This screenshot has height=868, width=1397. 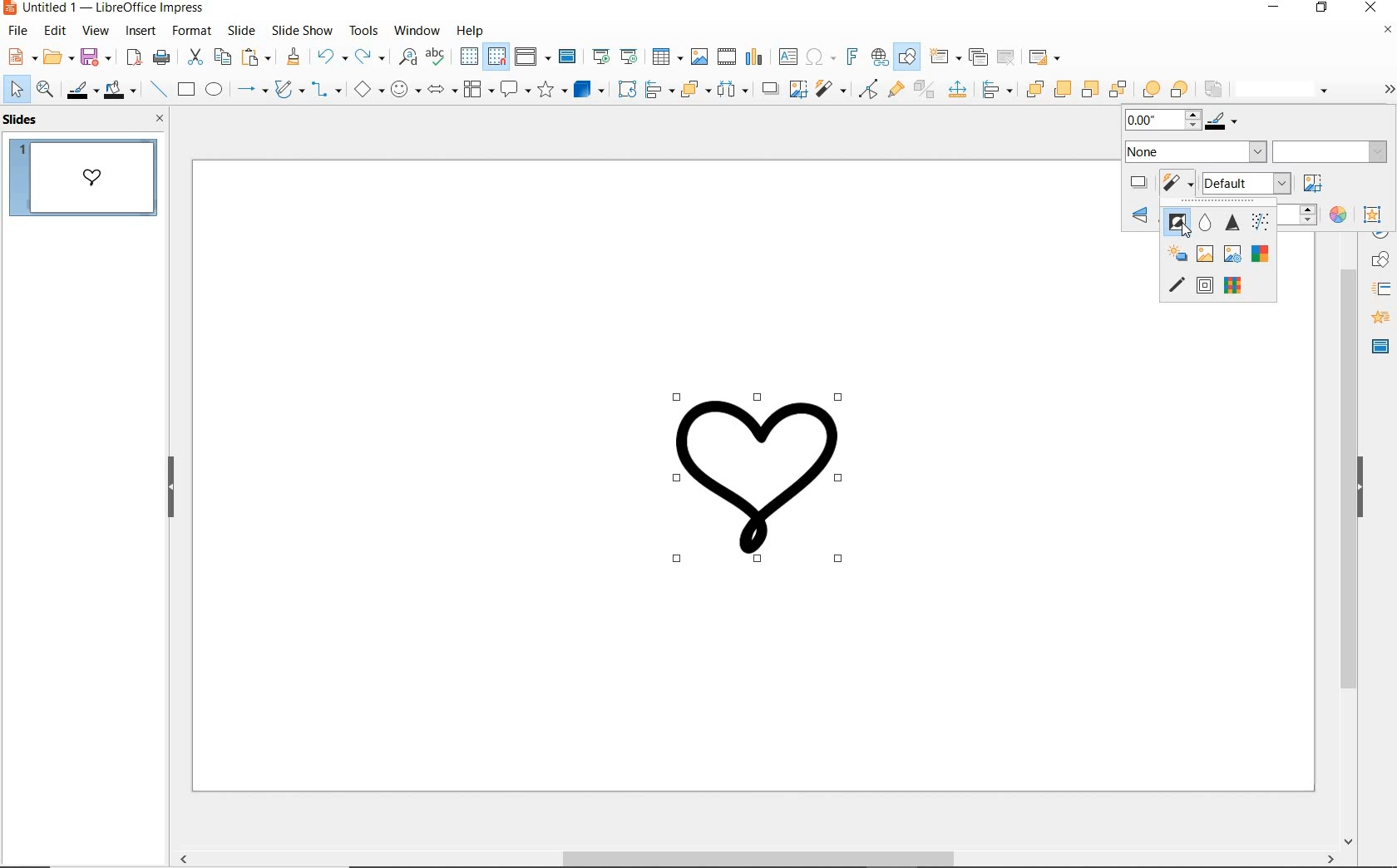 What do you see at coordinates (157, 90) in the screenshot?
I see `insert line` at bounding box center [157, 90].